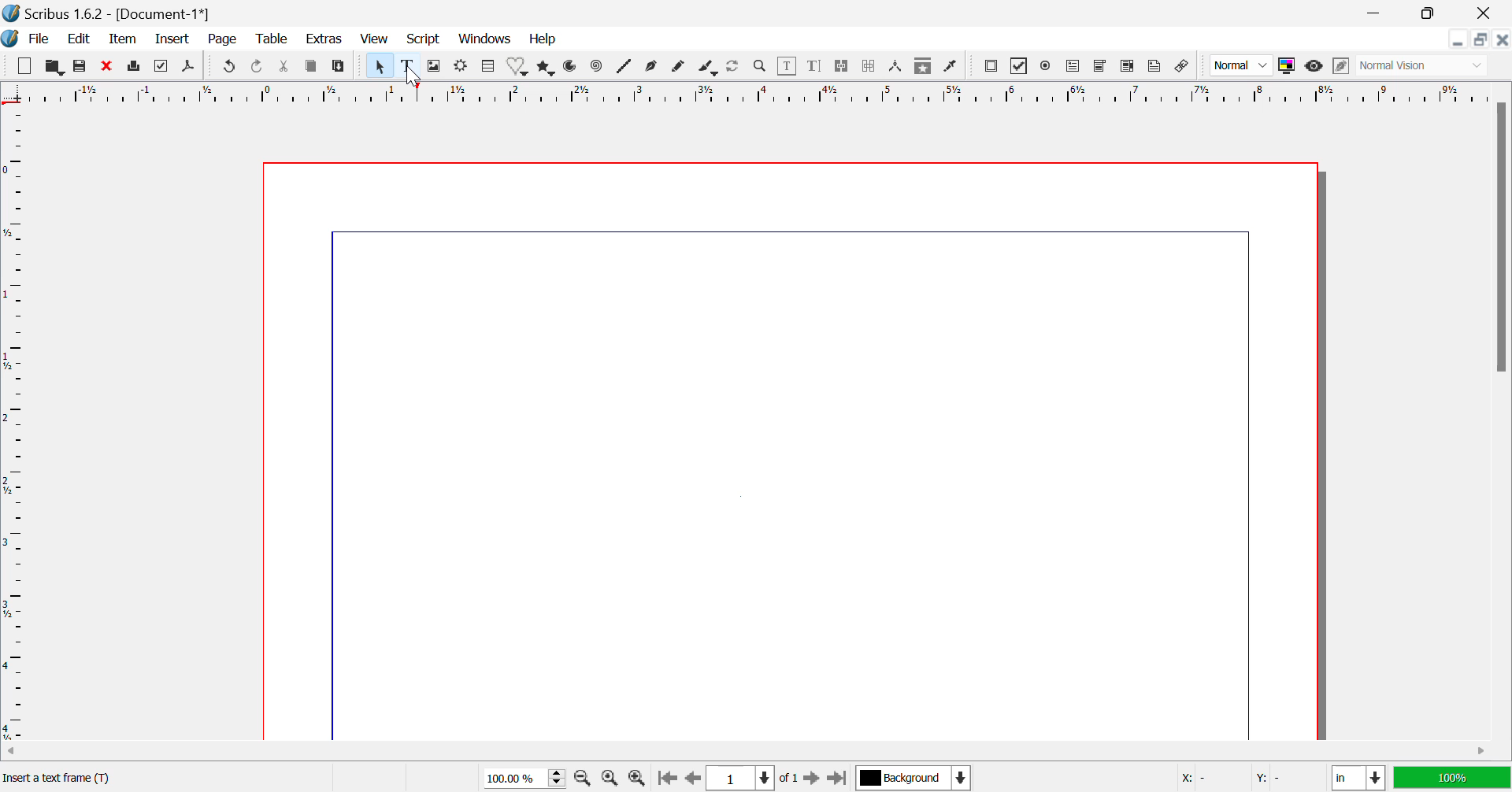 This screenshot has width=1512, height=792. What do you see at coordinates (1425, 67) in the screenshot?
I see `Normal Vision` at bounding box center [1425, 67].